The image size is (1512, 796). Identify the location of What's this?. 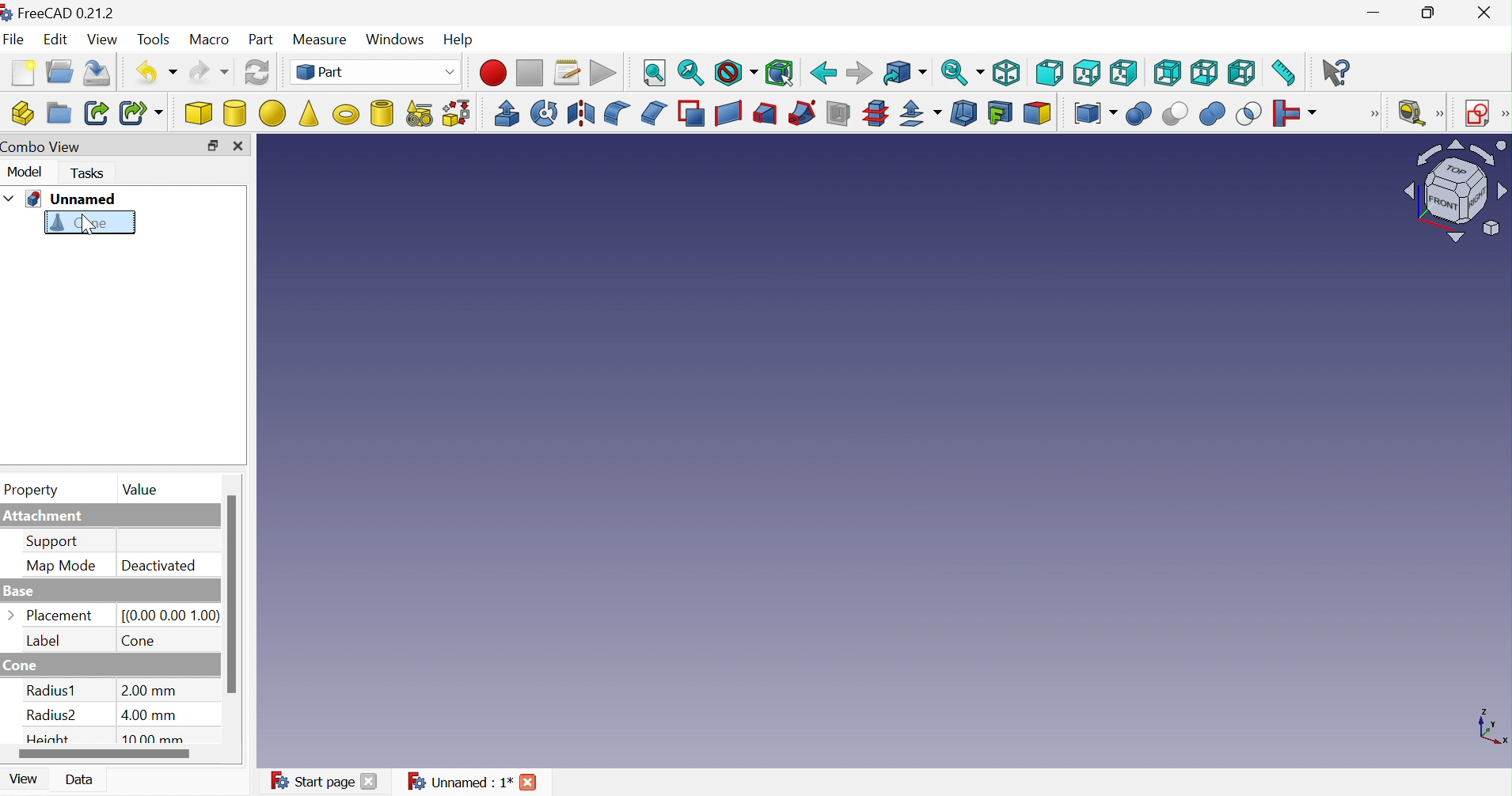
(1339, 72).